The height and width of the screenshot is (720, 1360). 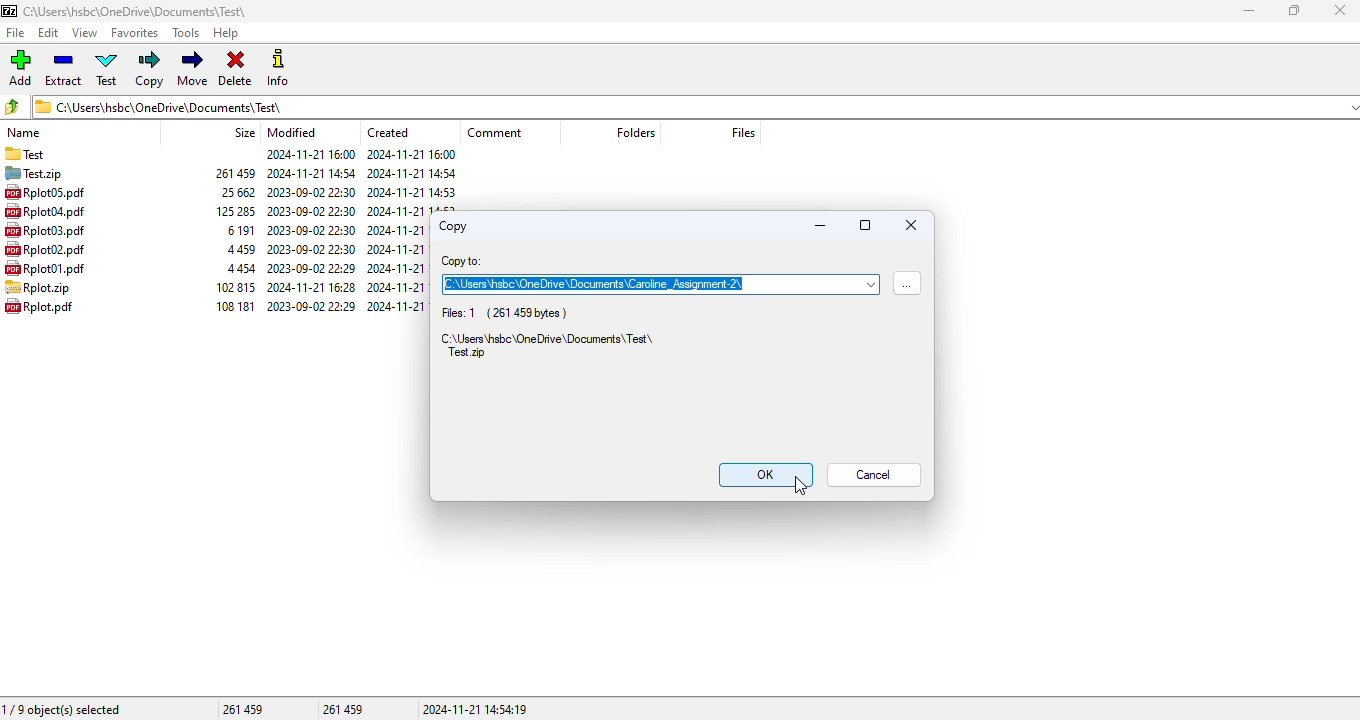 What do you see at coordinates (311, 154) in the screenshot?
I see `modified date & time` at bounding box center [311, 154].